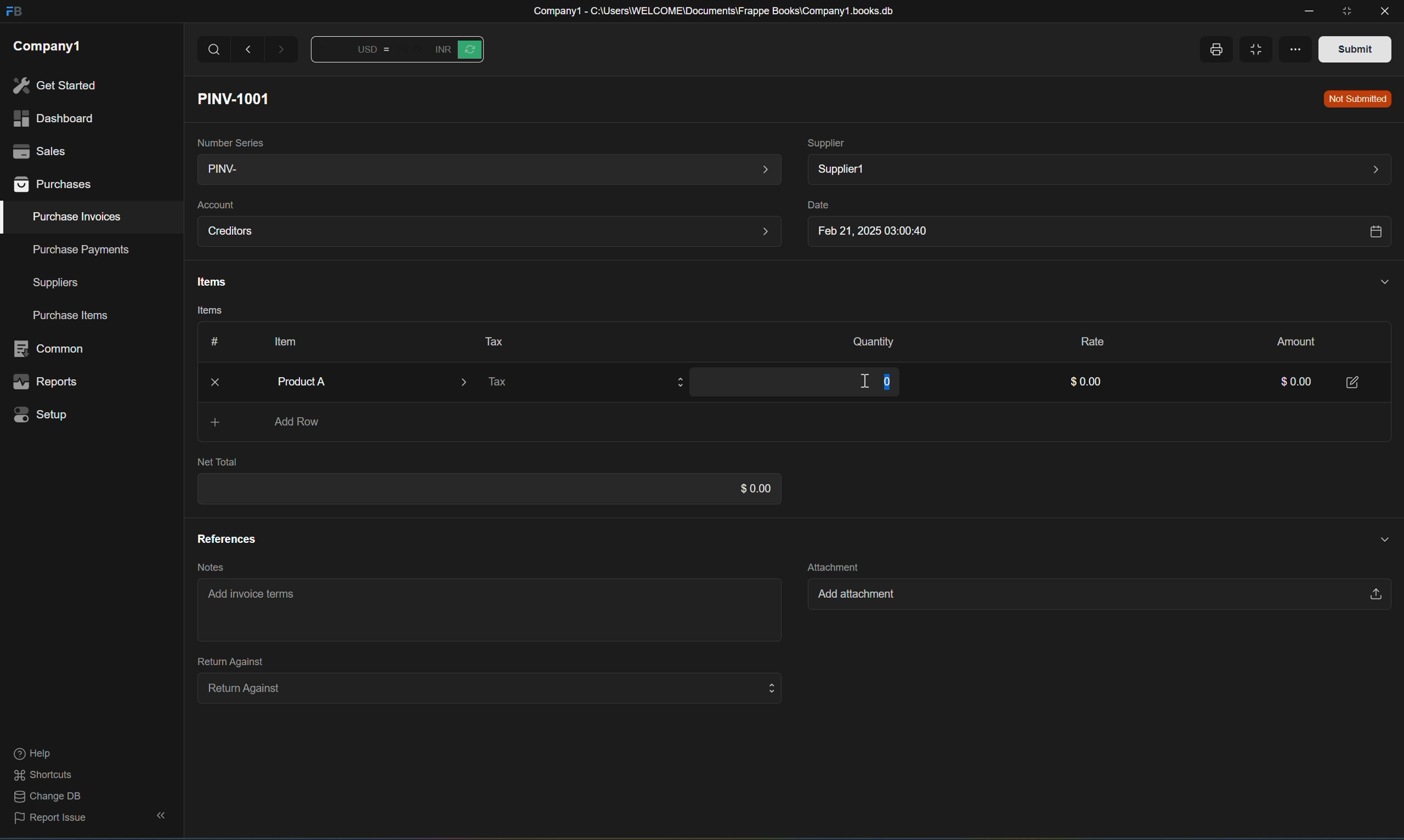 The height and width of the screenshot is (840, 1404). What do you see at coordinates (224, 661) in the screenshot?
I see `Return Against` at bounding box center [224, 661].